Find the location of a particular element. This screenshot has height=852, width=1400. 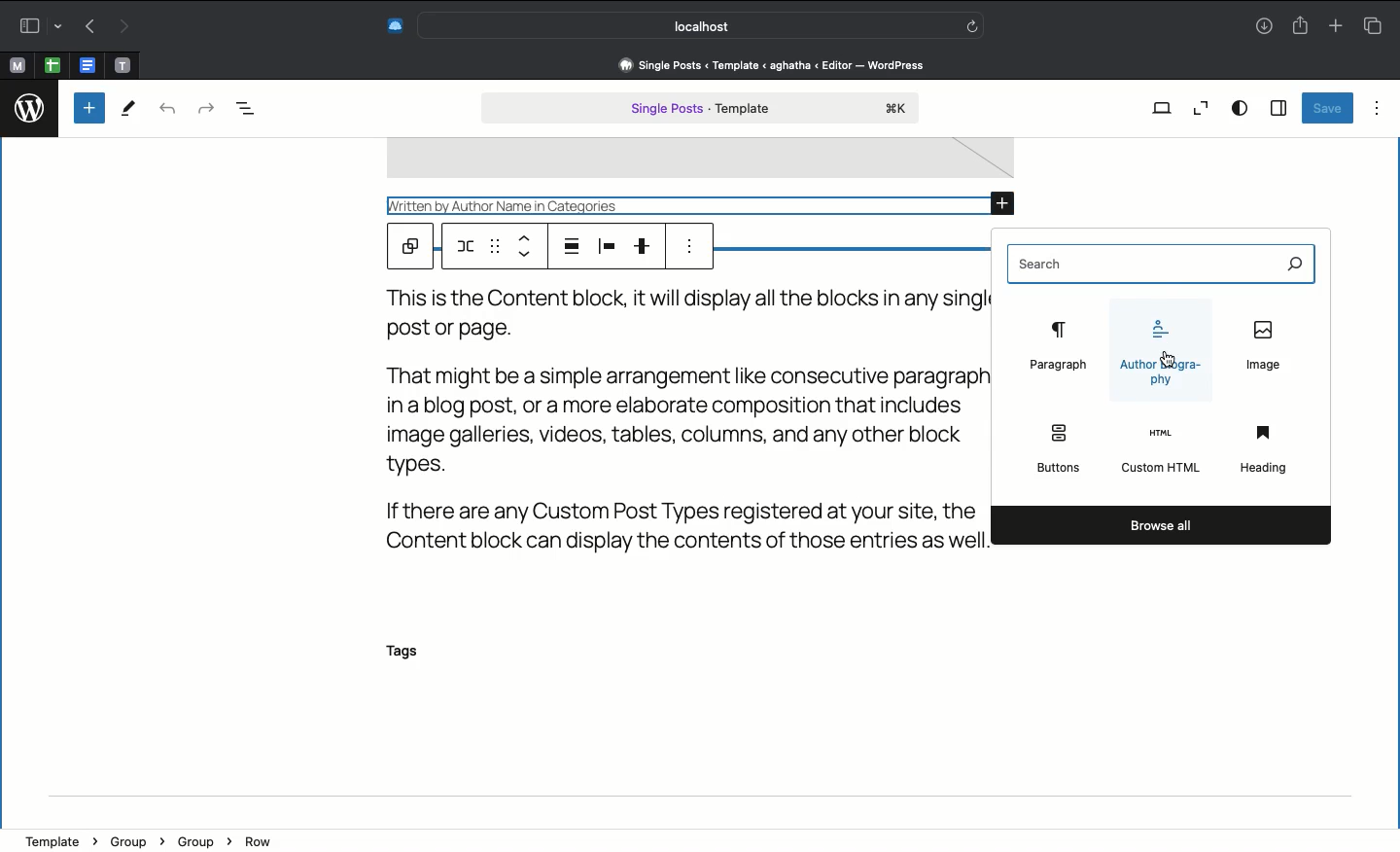

Vertical alignment is located at coordinates (646, 246).